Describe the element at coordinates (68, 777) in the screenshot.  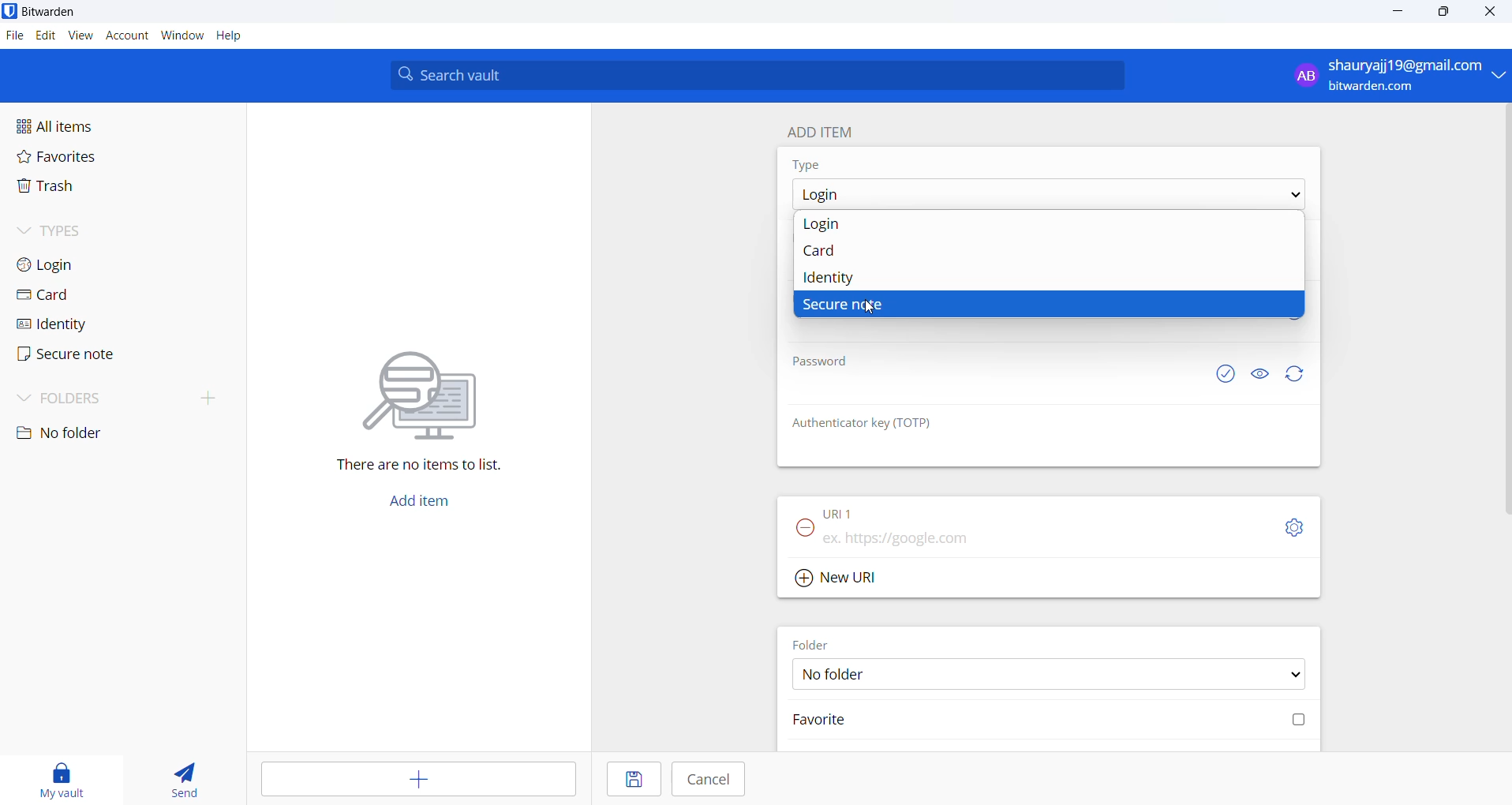
I see `my vault` at that location.